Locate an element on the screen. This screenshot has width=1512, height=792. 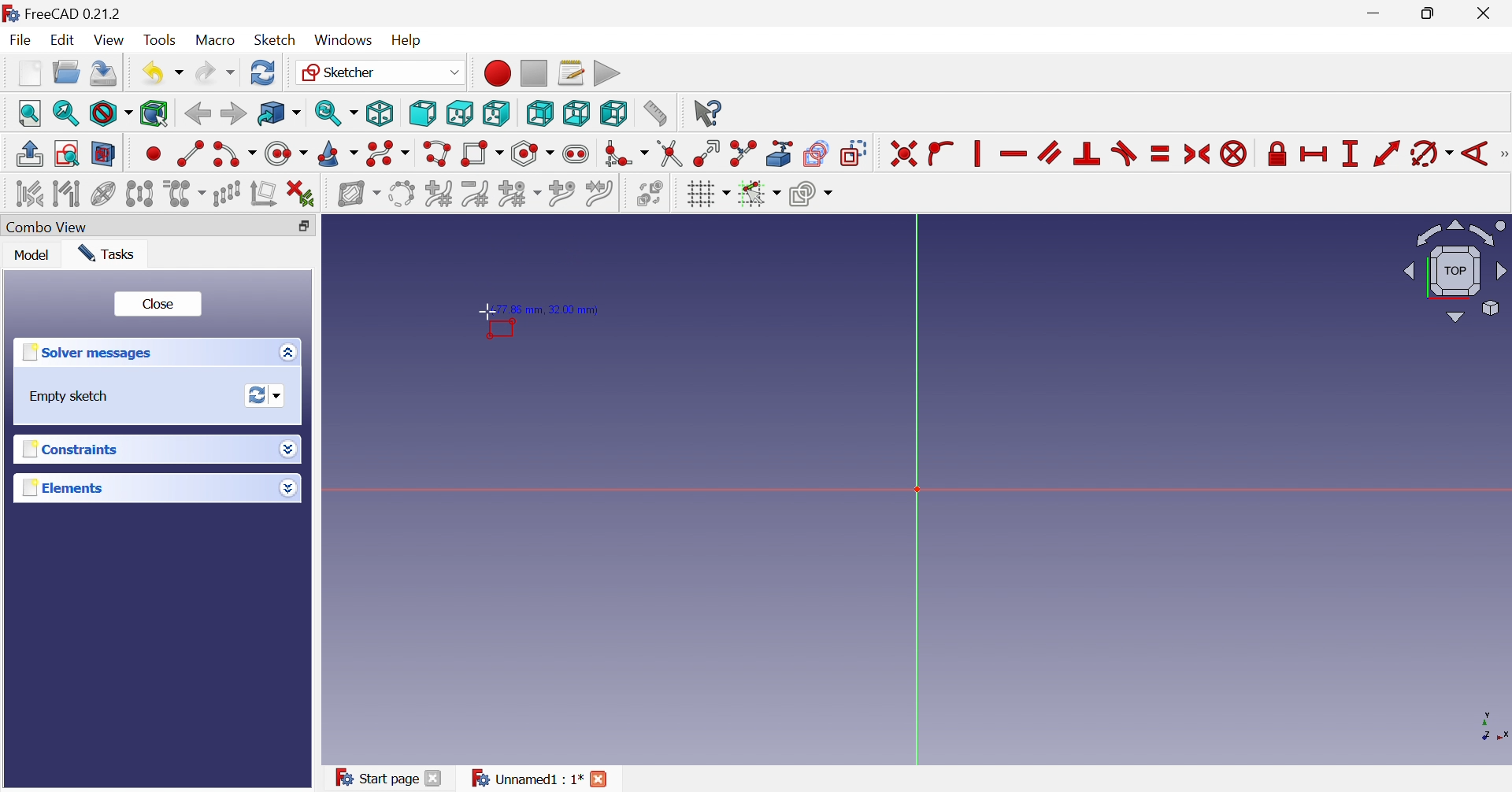
Create rectangle is located at coordinates (481, 154).